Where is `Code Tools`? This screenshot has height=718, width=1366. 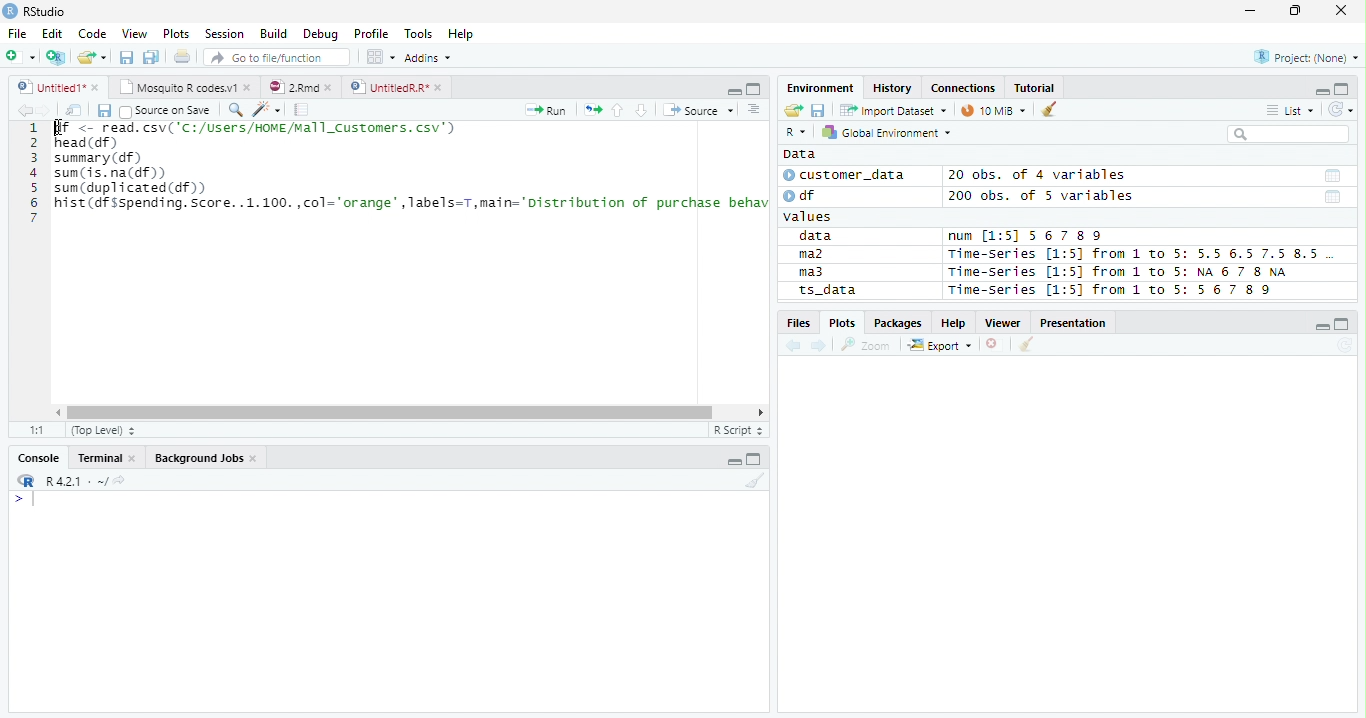 Code Tools is located at coordinates (266, 110).